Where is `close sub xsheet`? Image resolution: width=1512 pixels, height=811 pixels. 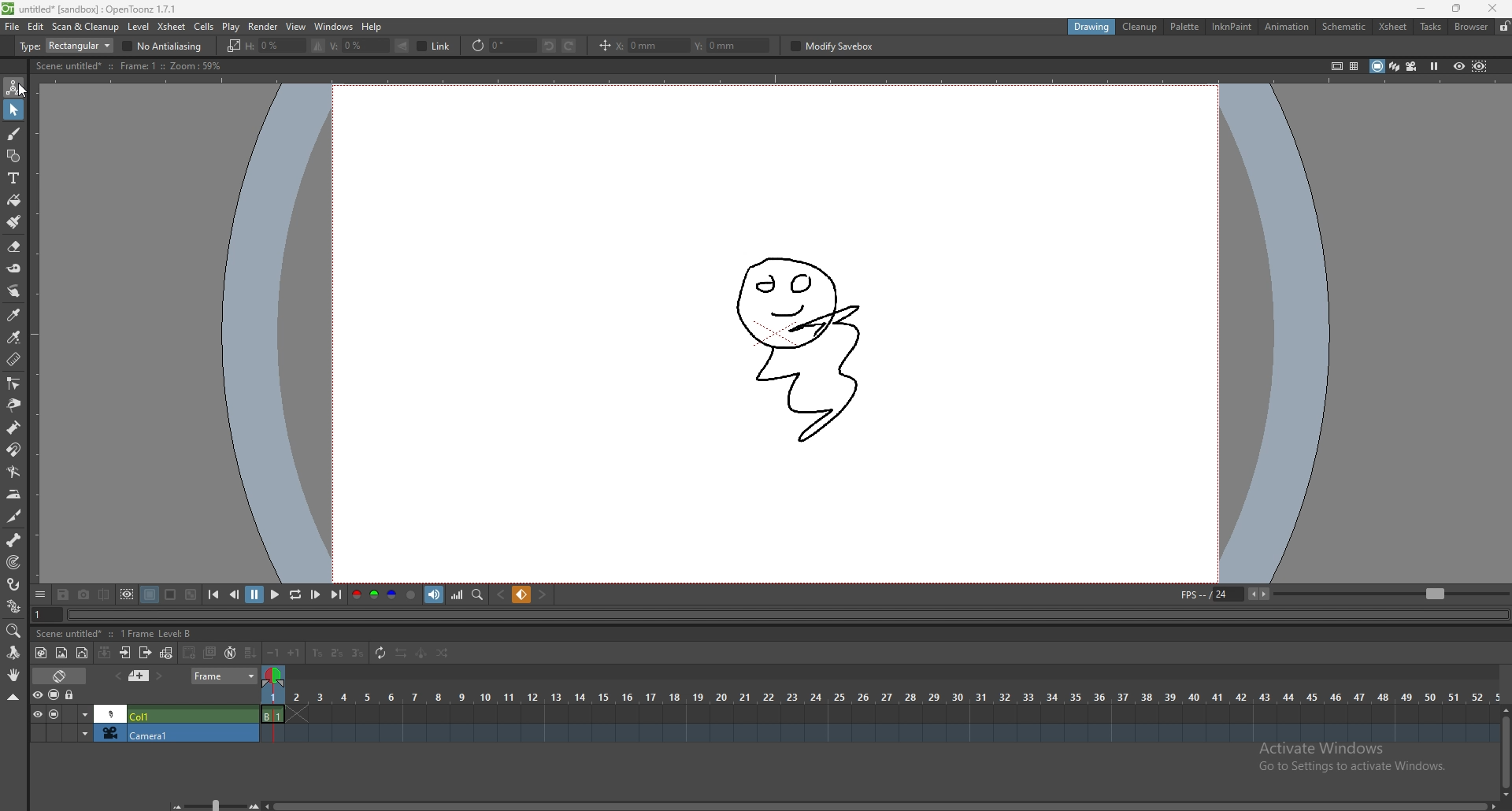
close sub xsheet is located at coordinates (145, 653).